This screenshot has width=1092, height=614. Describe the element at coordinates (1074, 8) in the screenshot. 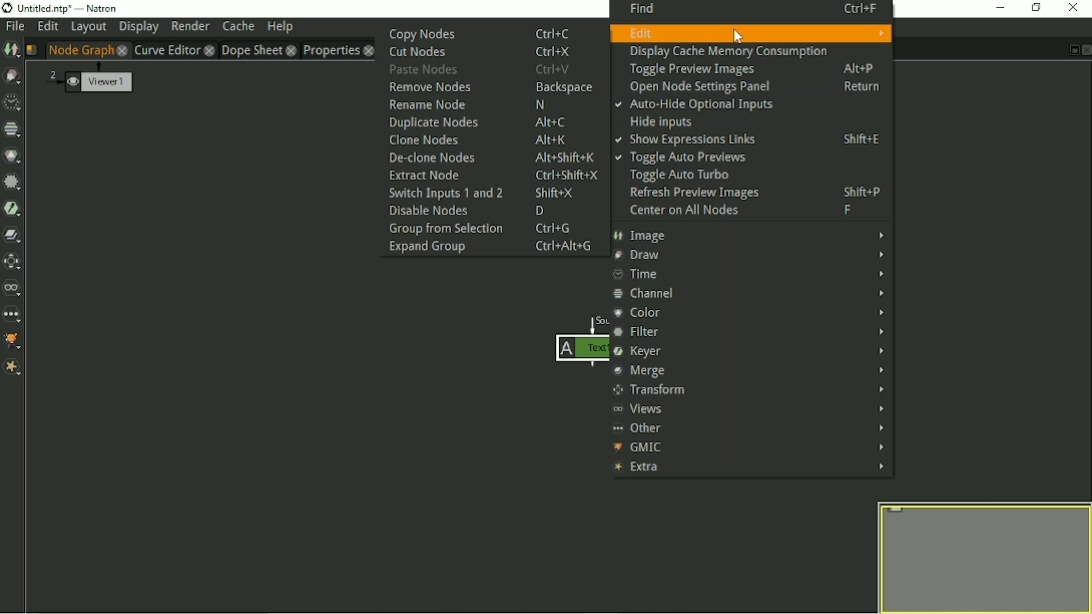

I see `Close` at that location.